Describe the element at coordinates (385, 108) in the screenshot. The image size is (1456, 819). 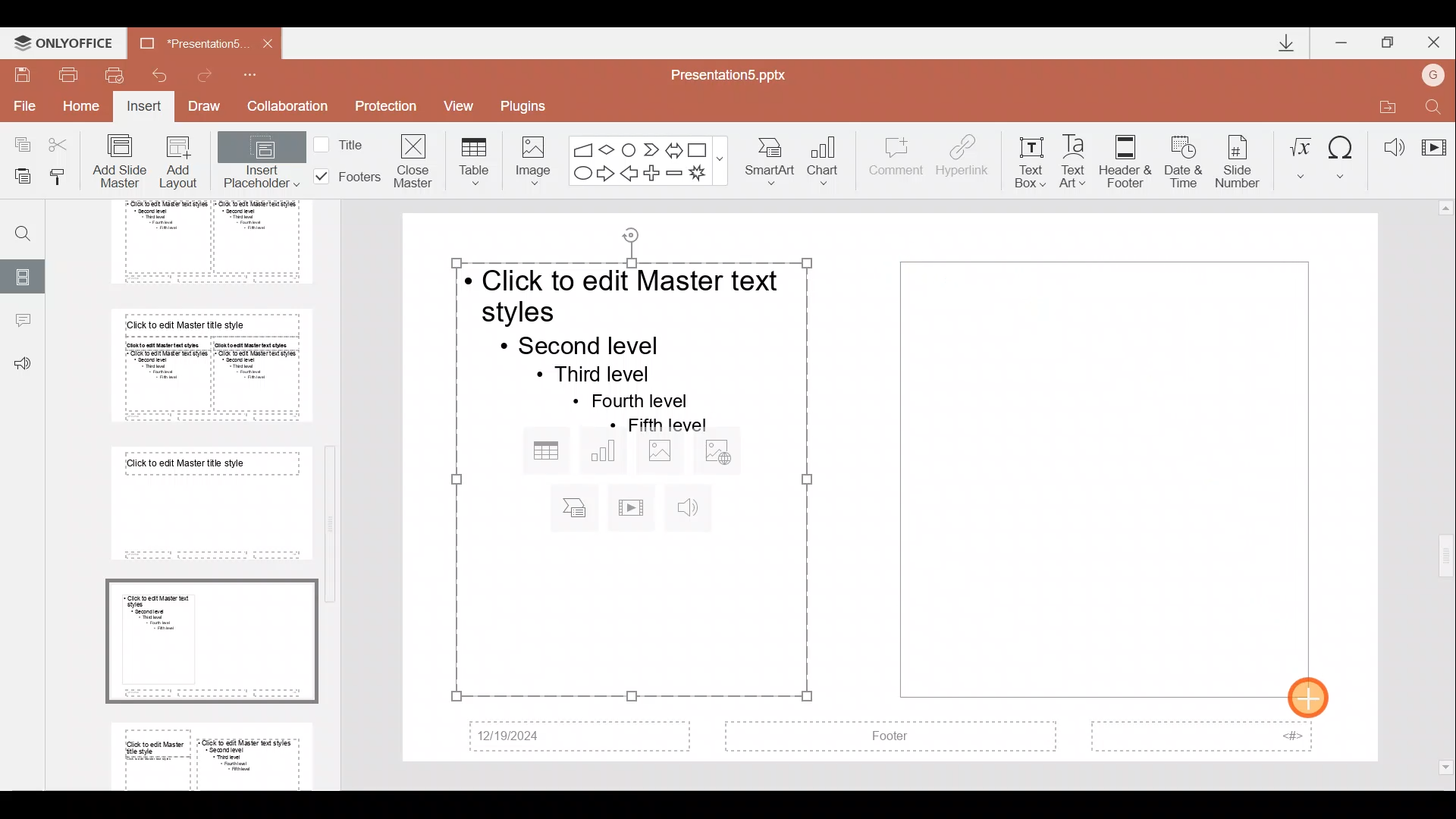
I see `Protection` at that location.